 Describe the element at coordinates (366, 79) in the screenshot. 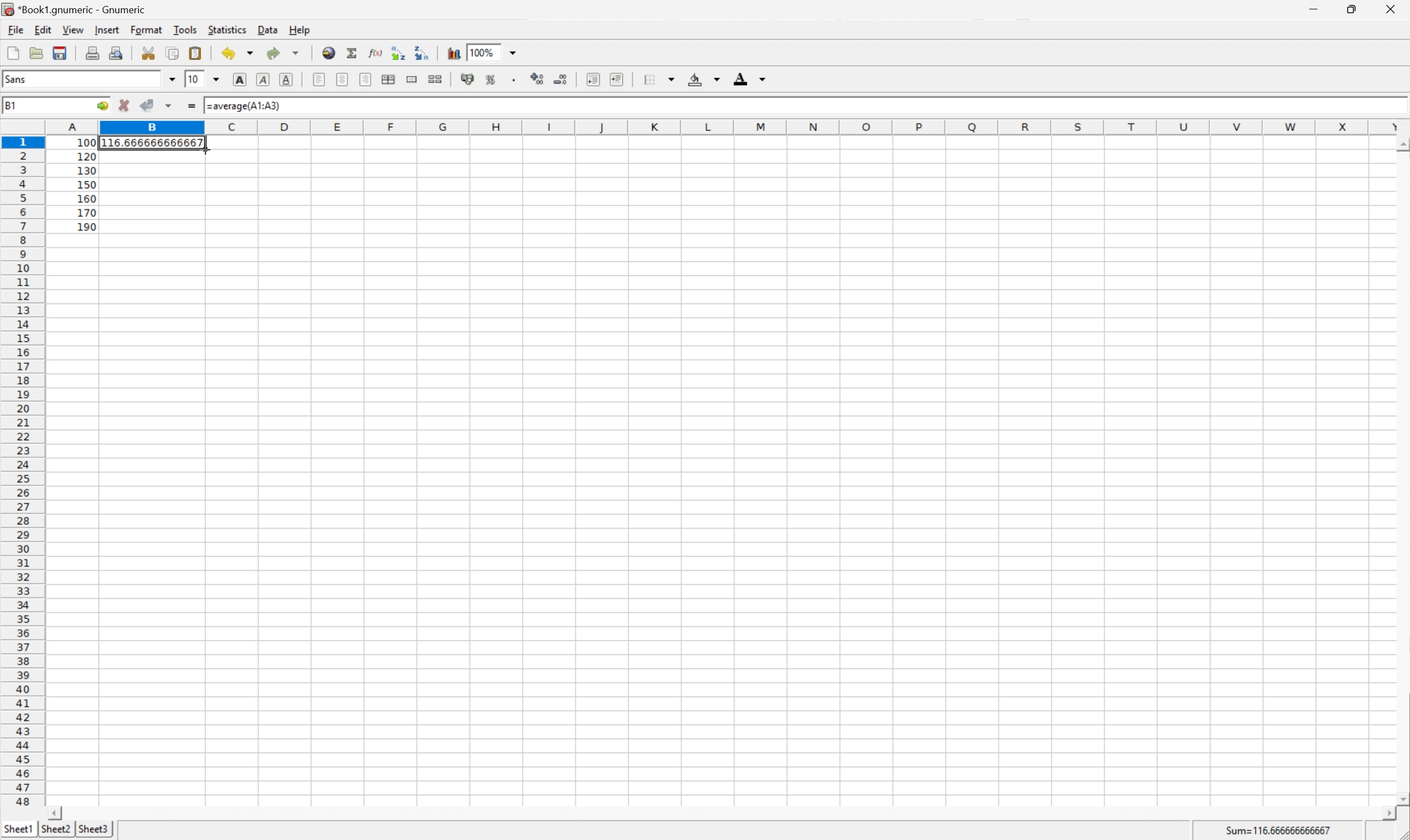

I see `Align Right` at that location.